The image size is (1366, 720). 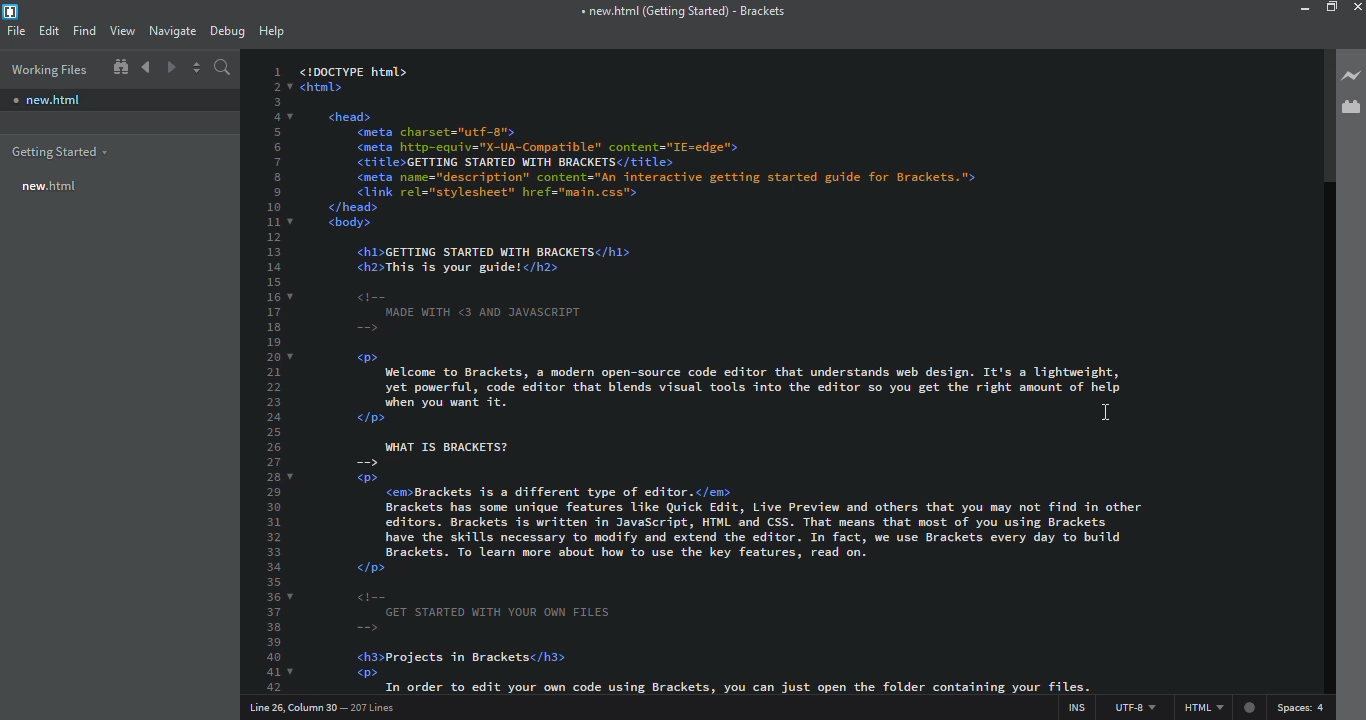 I want to click on find, so click(x=83, y=29).